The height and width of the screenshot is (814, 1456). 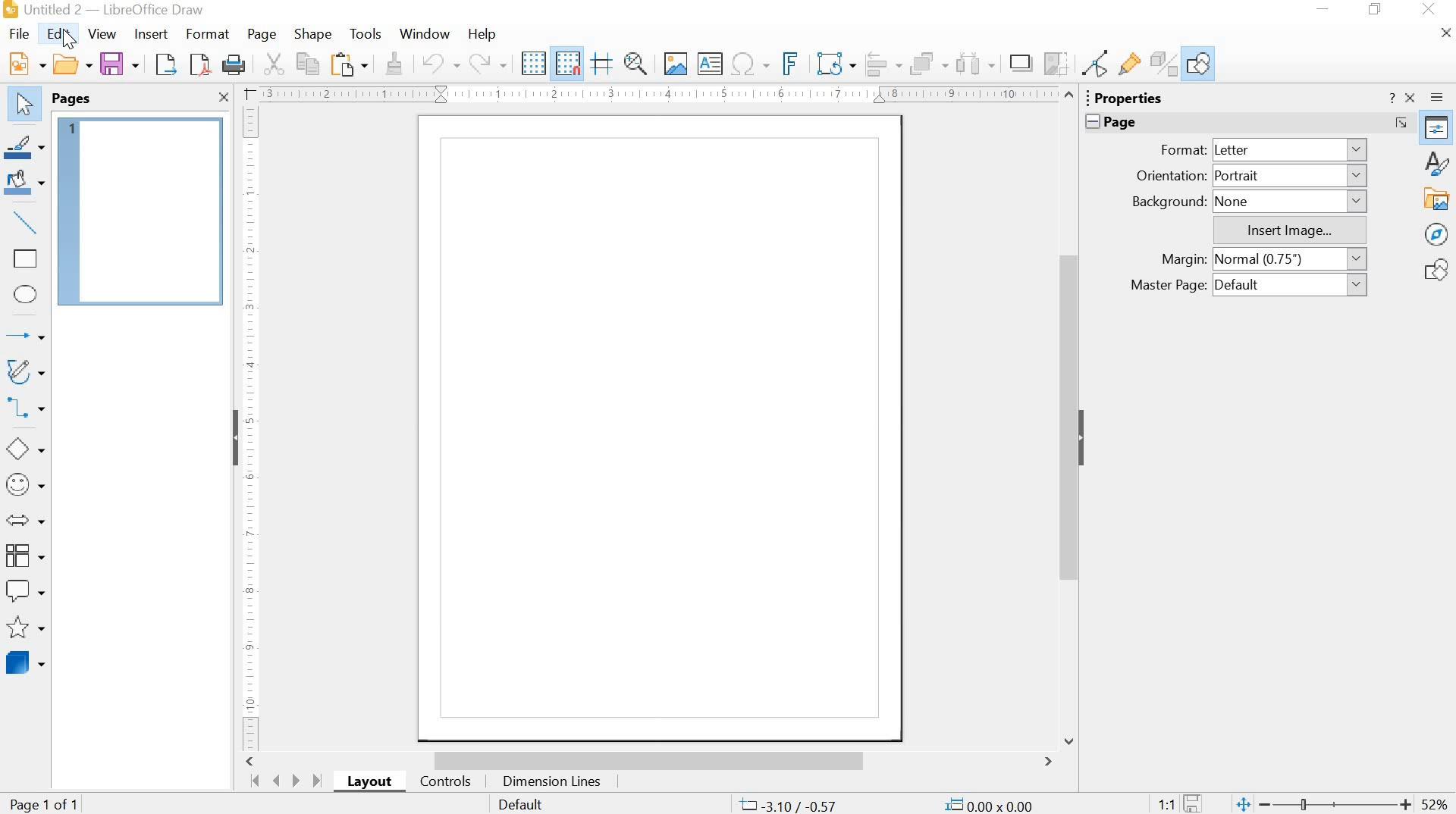 I want to click on File, so click(x=20, y=33).